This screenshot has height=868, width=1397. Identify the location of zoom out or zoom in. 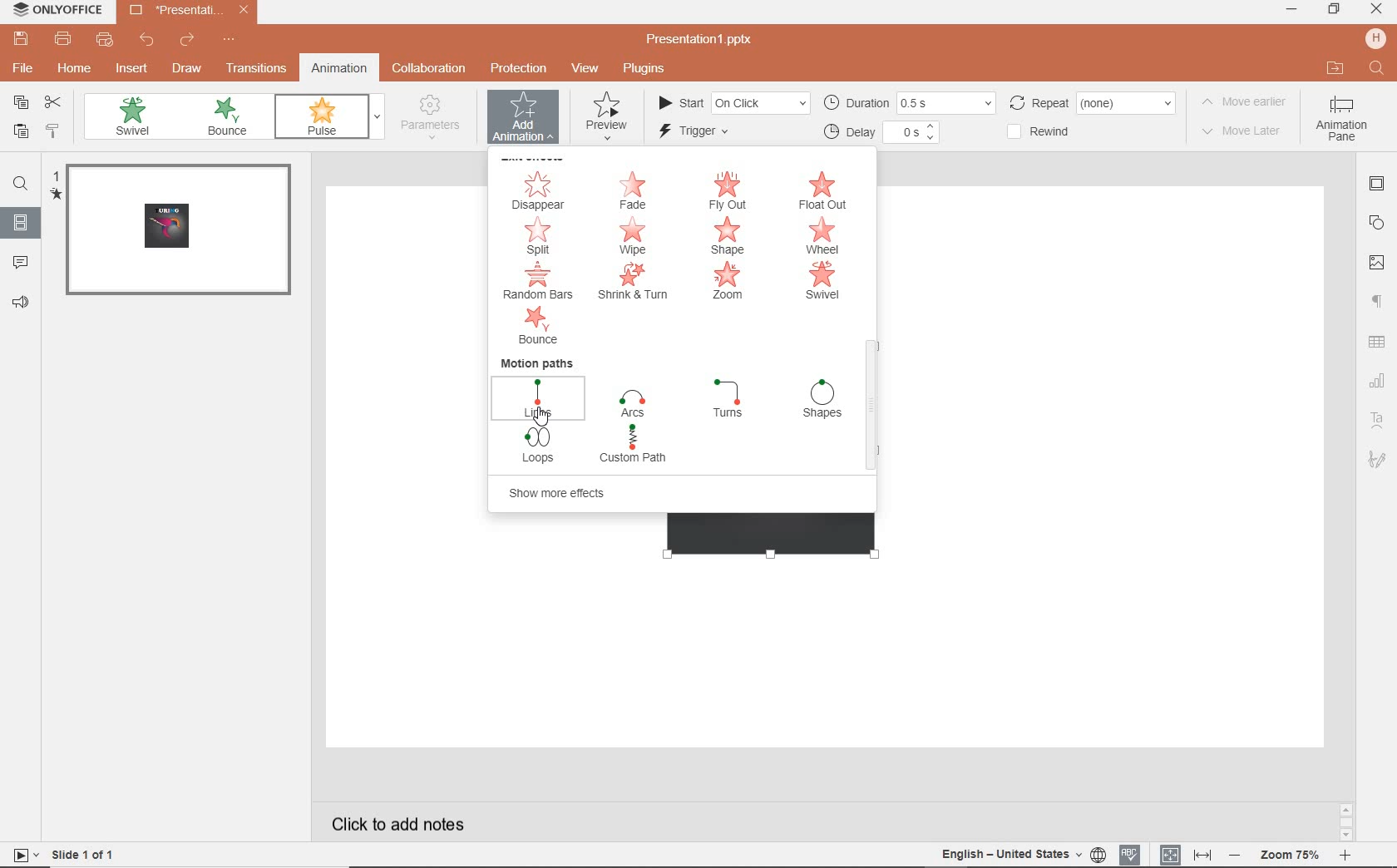
(1291, 856).